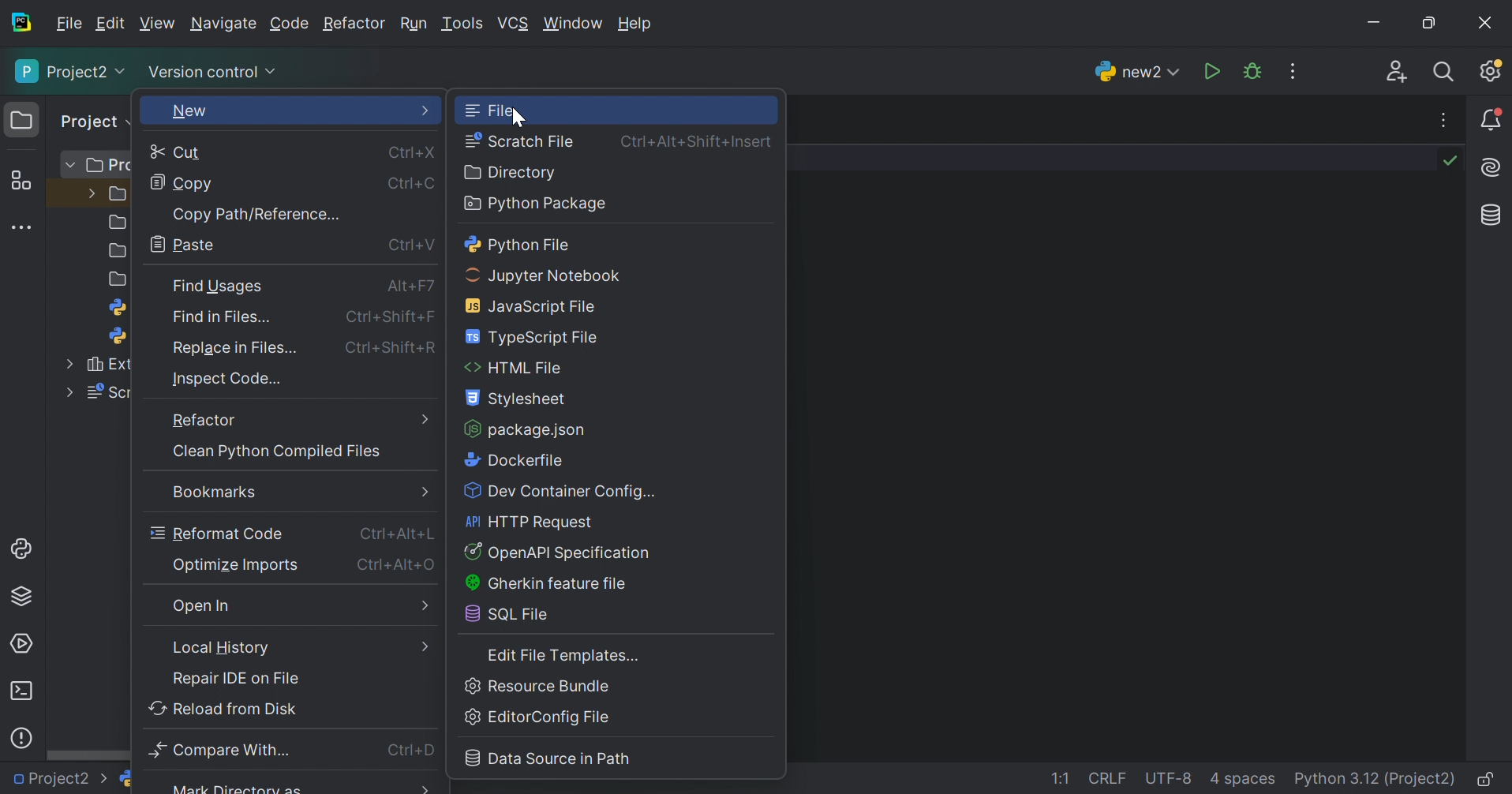 The height and width of the screenshot is (794, 1512). I want to click on Code, so click(290, 24).